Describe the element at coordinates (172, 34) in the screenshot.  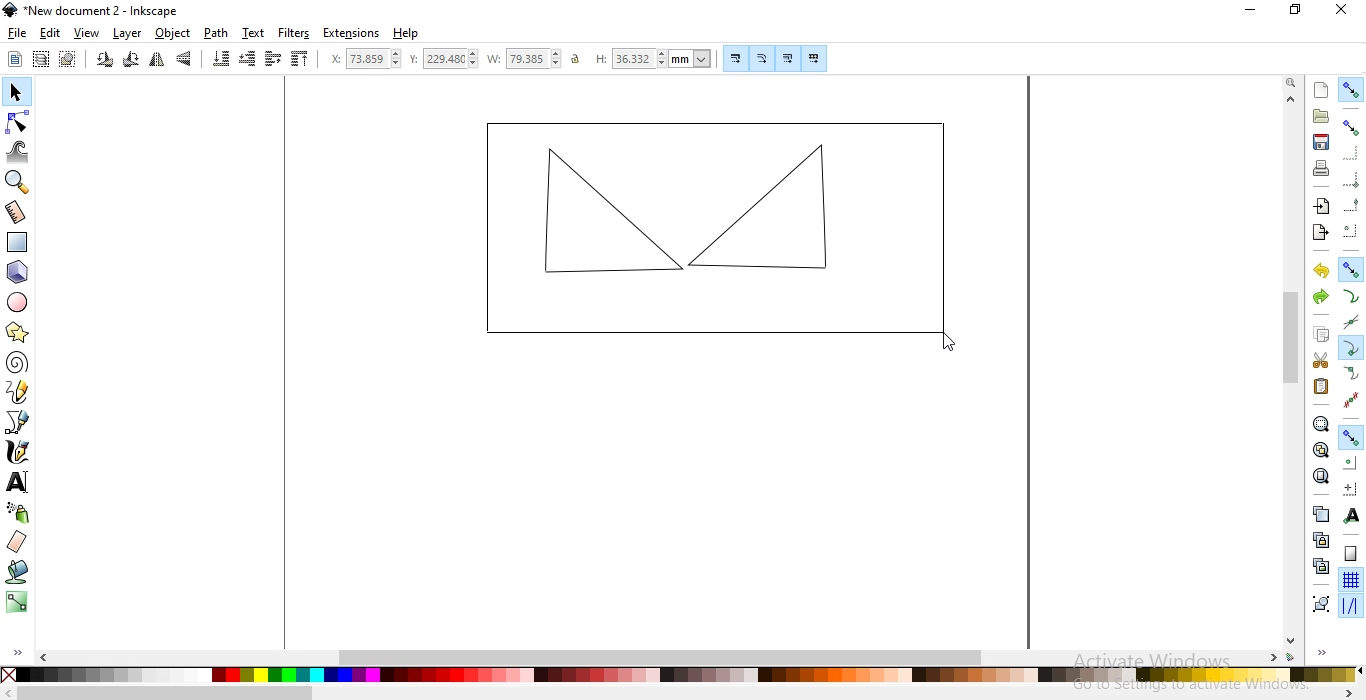
I see `object` at that location.